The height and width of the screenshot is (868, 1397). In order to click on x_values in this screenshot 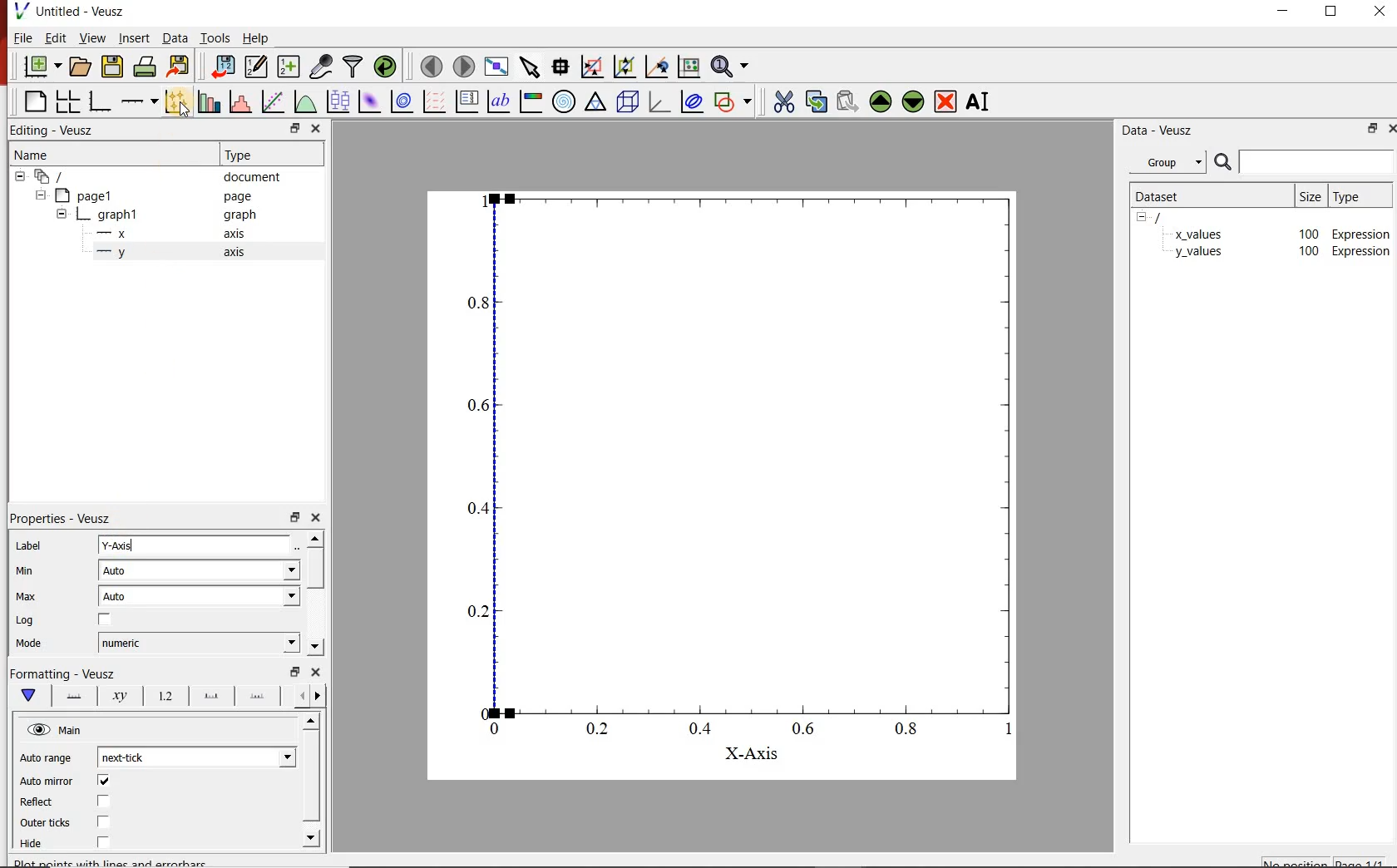, I will do `click(1198, 233)`.